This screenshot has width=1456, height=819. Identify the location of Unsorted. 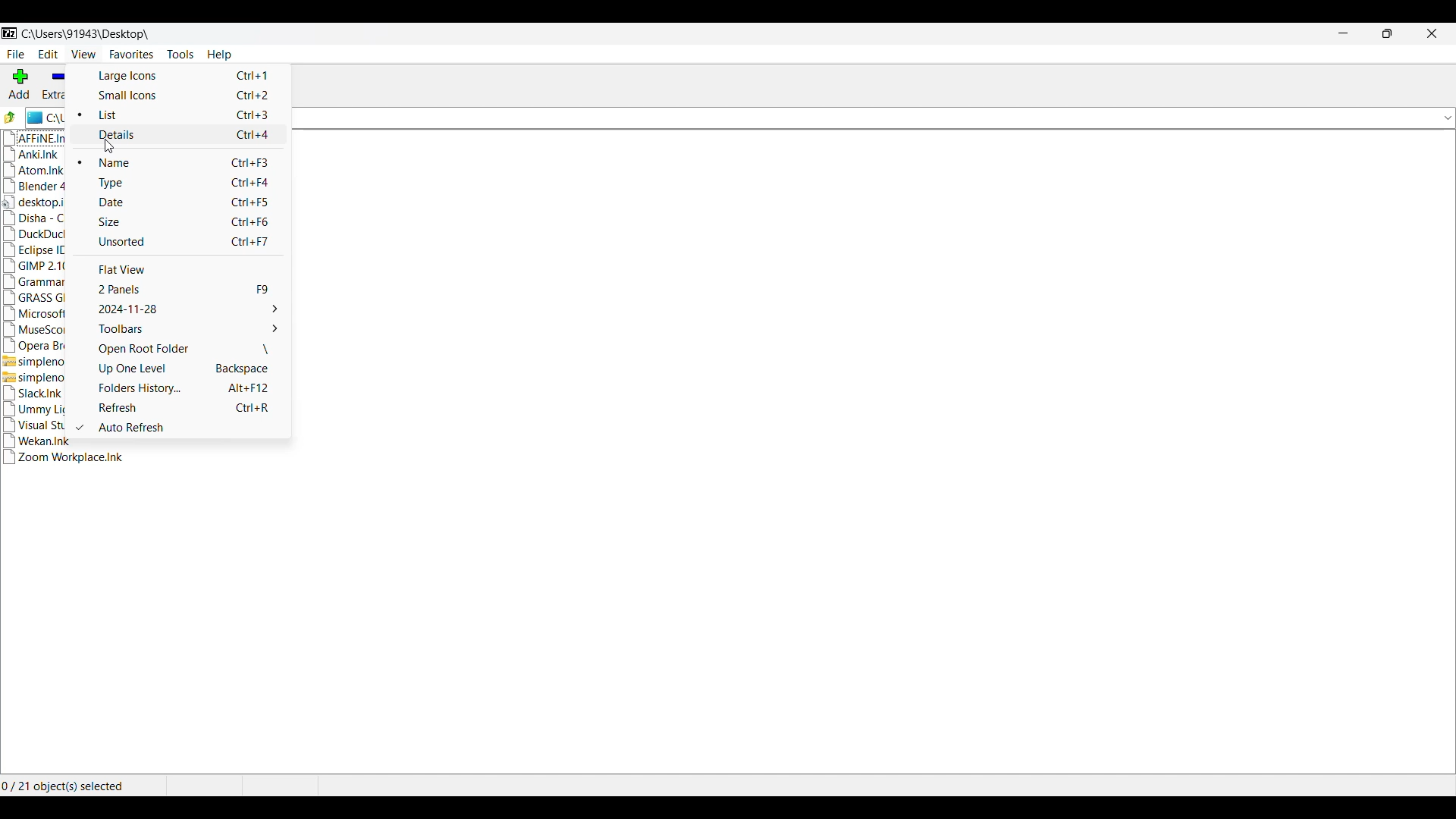
(188, 241).